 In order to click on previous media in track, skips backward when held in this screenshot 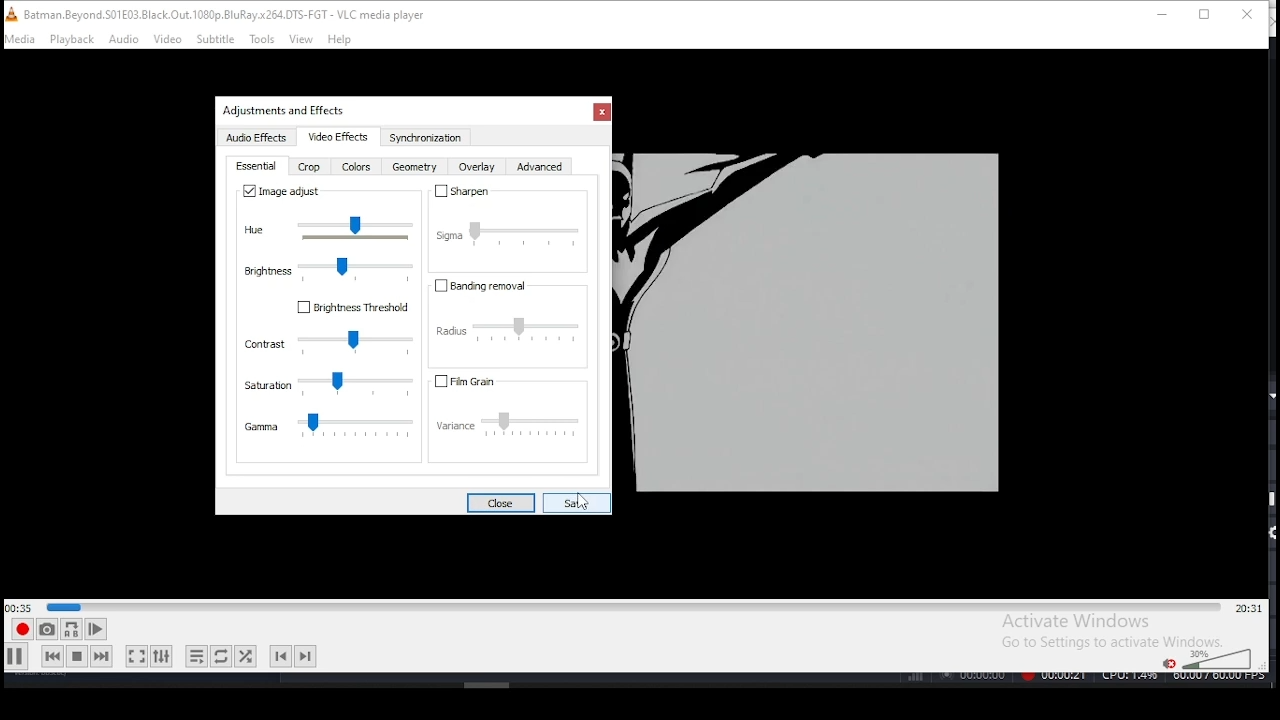, I will do `click(51, 658)`.